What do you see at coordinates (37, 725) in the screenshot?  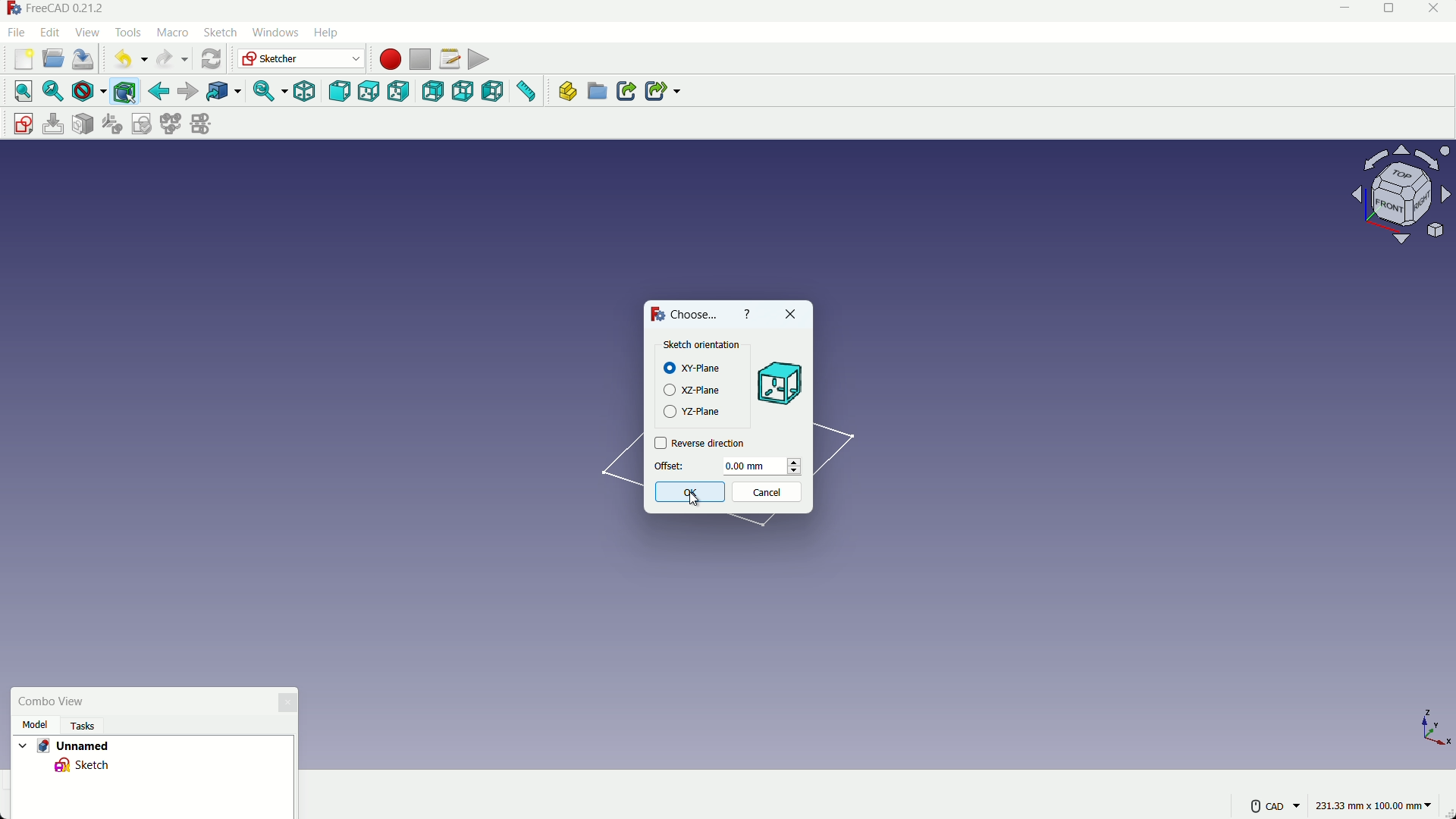 I see `model tab` at bounding box center [37, 725].